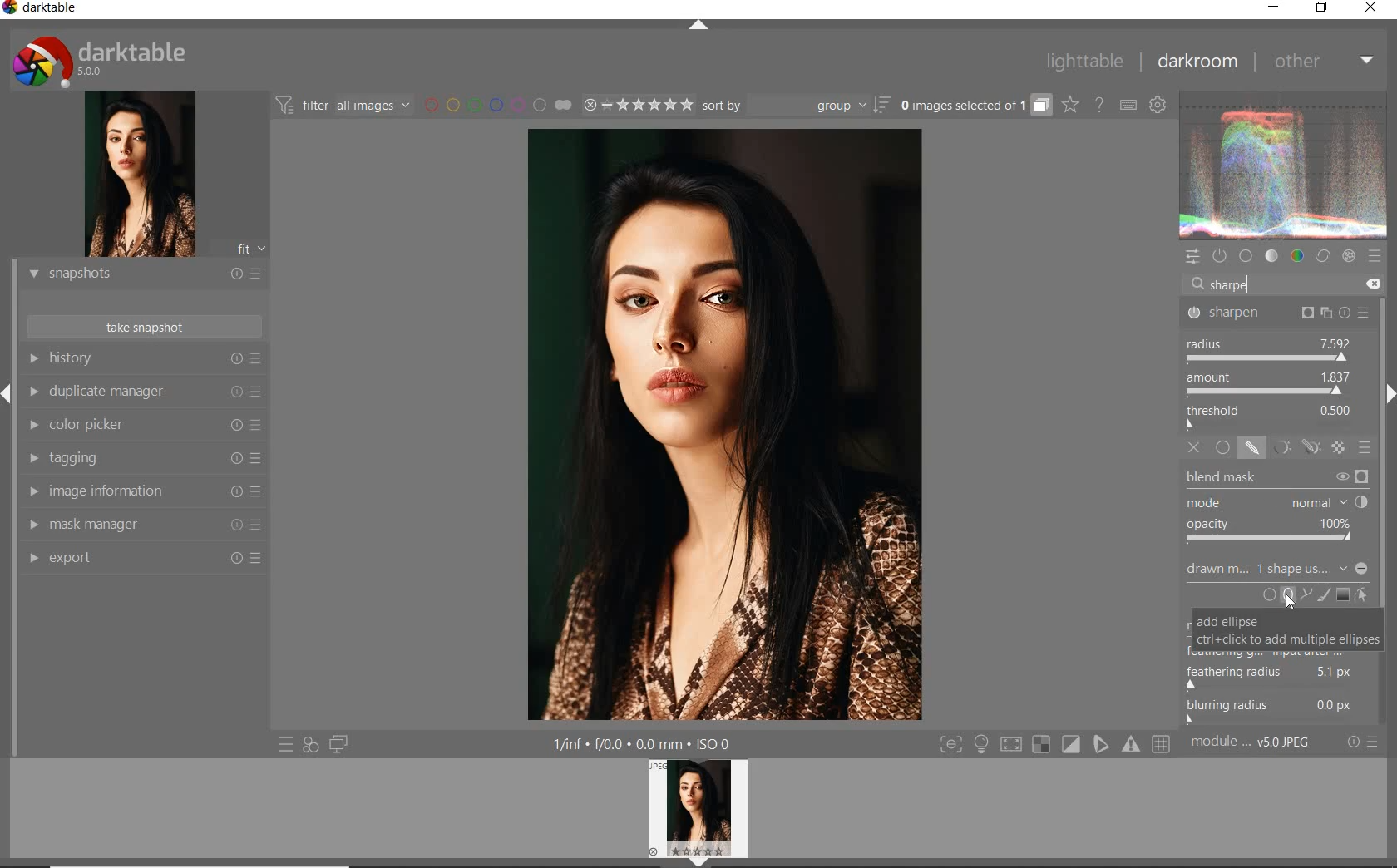 Image resolution: width=1397 pixels, height=868 pixels. I want to click on system logo, so click(102, 61).